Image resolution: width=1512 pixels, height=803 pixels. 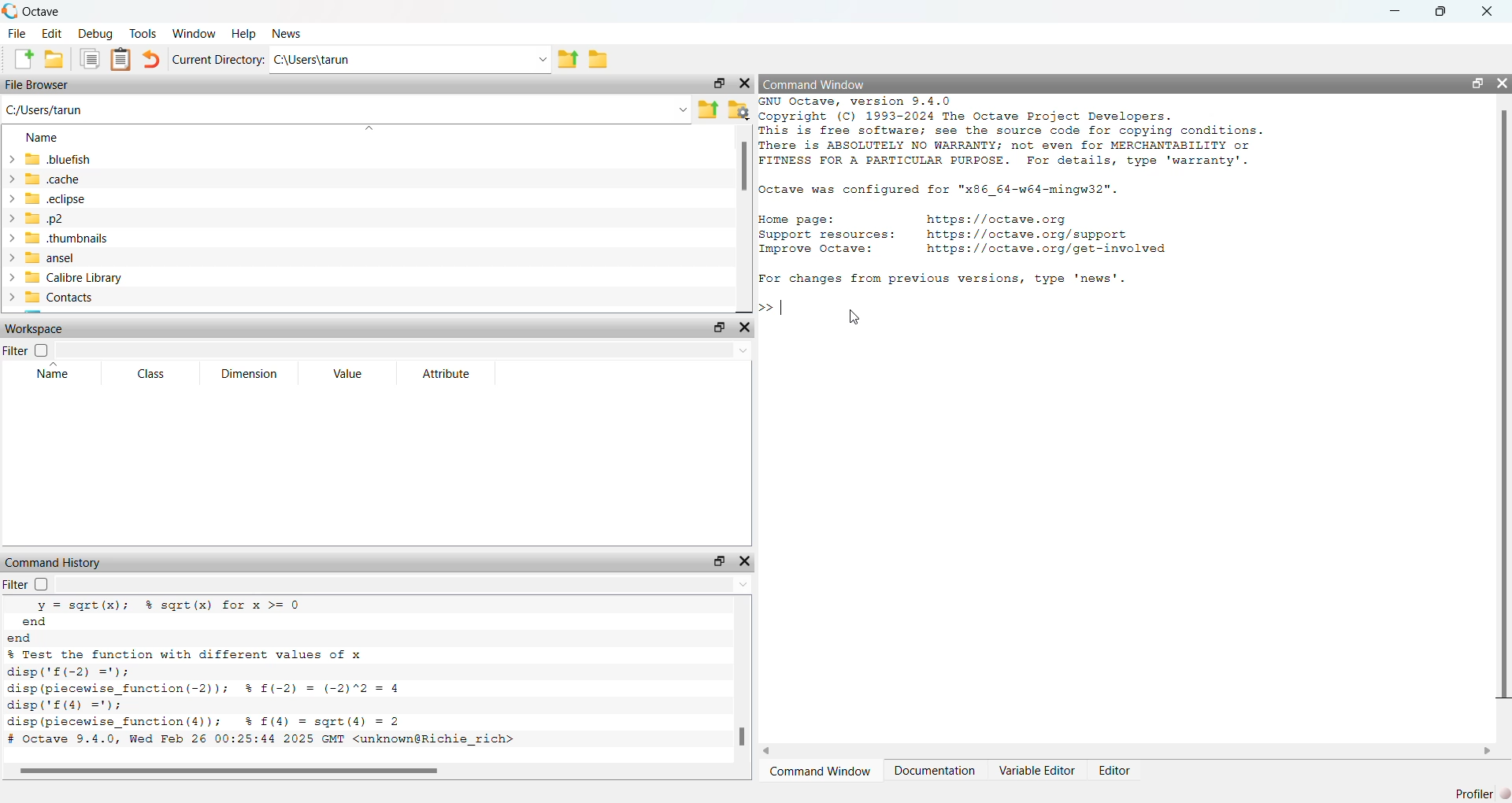 I want to click on Command Window, so click(x=814, y=83).